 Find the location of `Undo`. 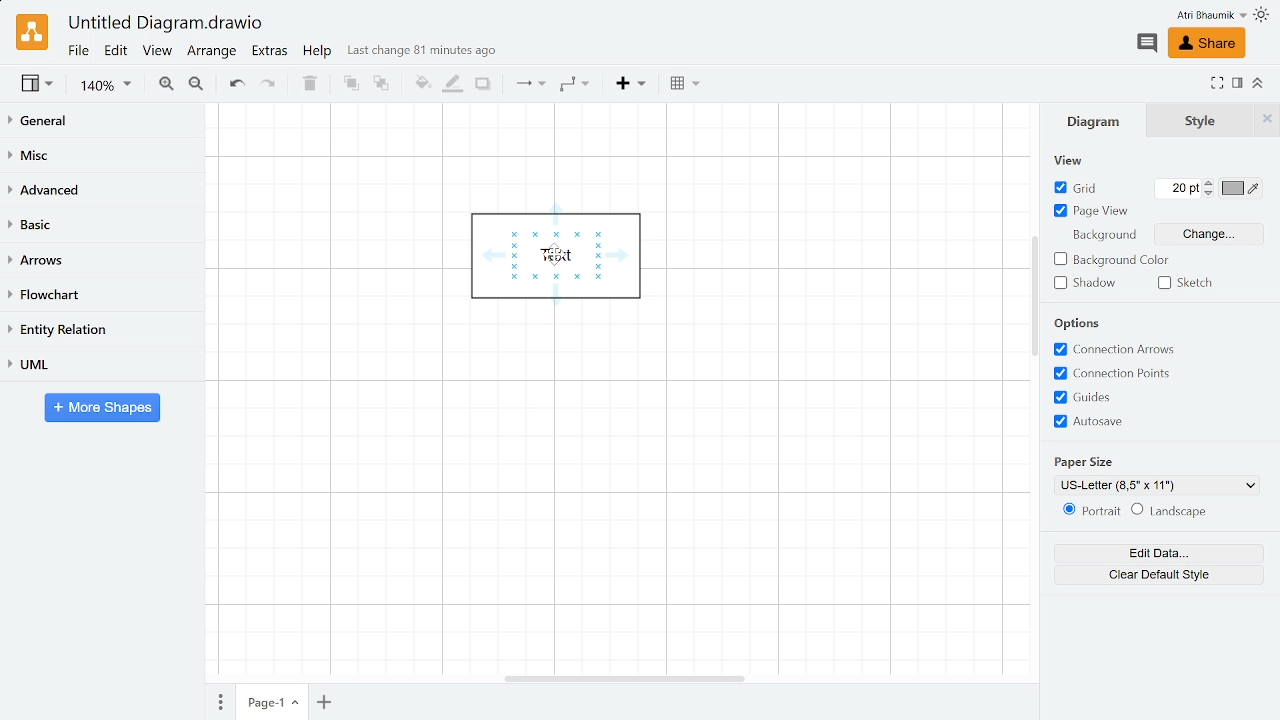

Undo is located at coordinates (238, 85).